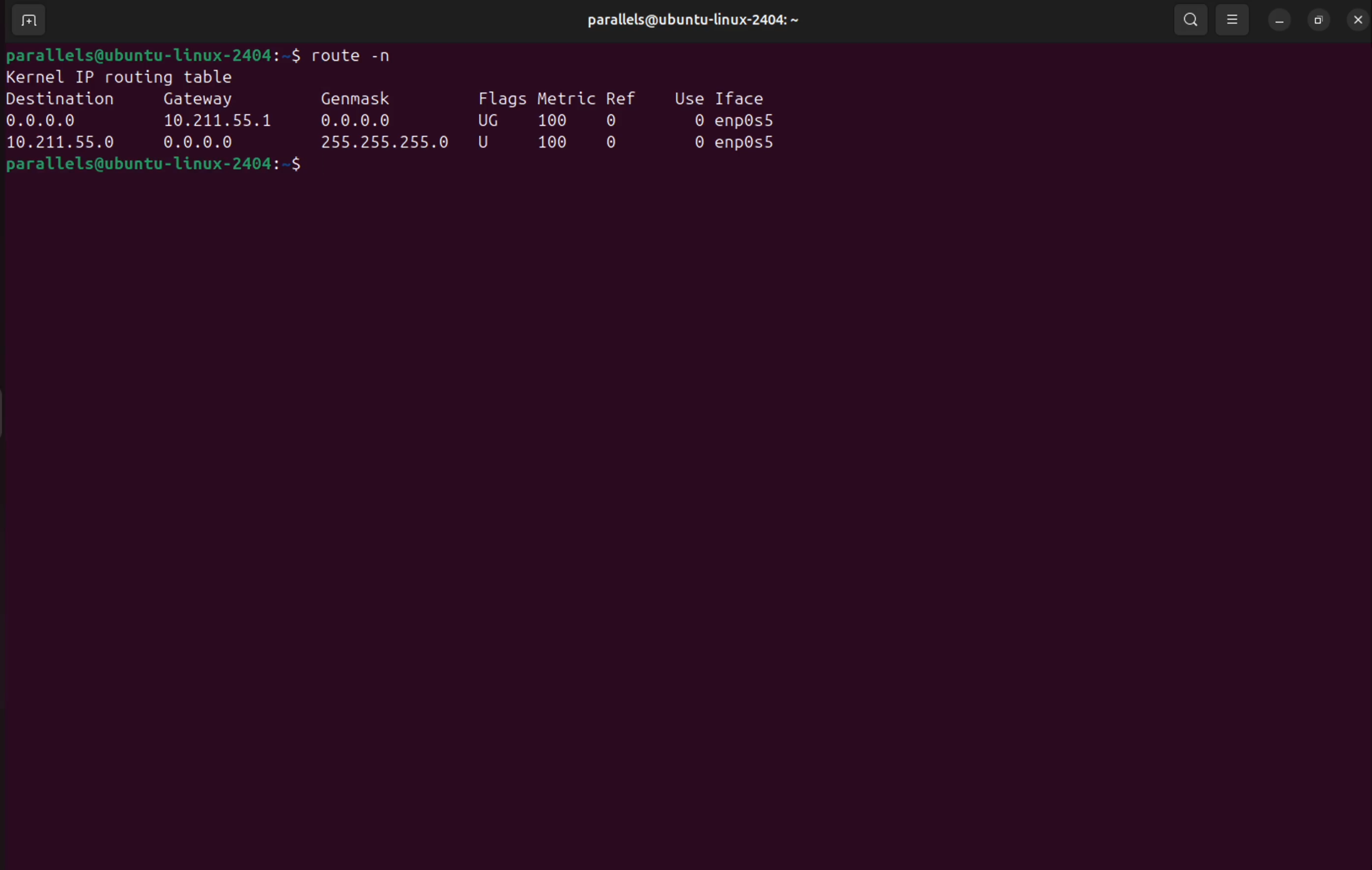 This screenshot has width=1372, height=870. I want to click on minimize, so click(1277, 19).